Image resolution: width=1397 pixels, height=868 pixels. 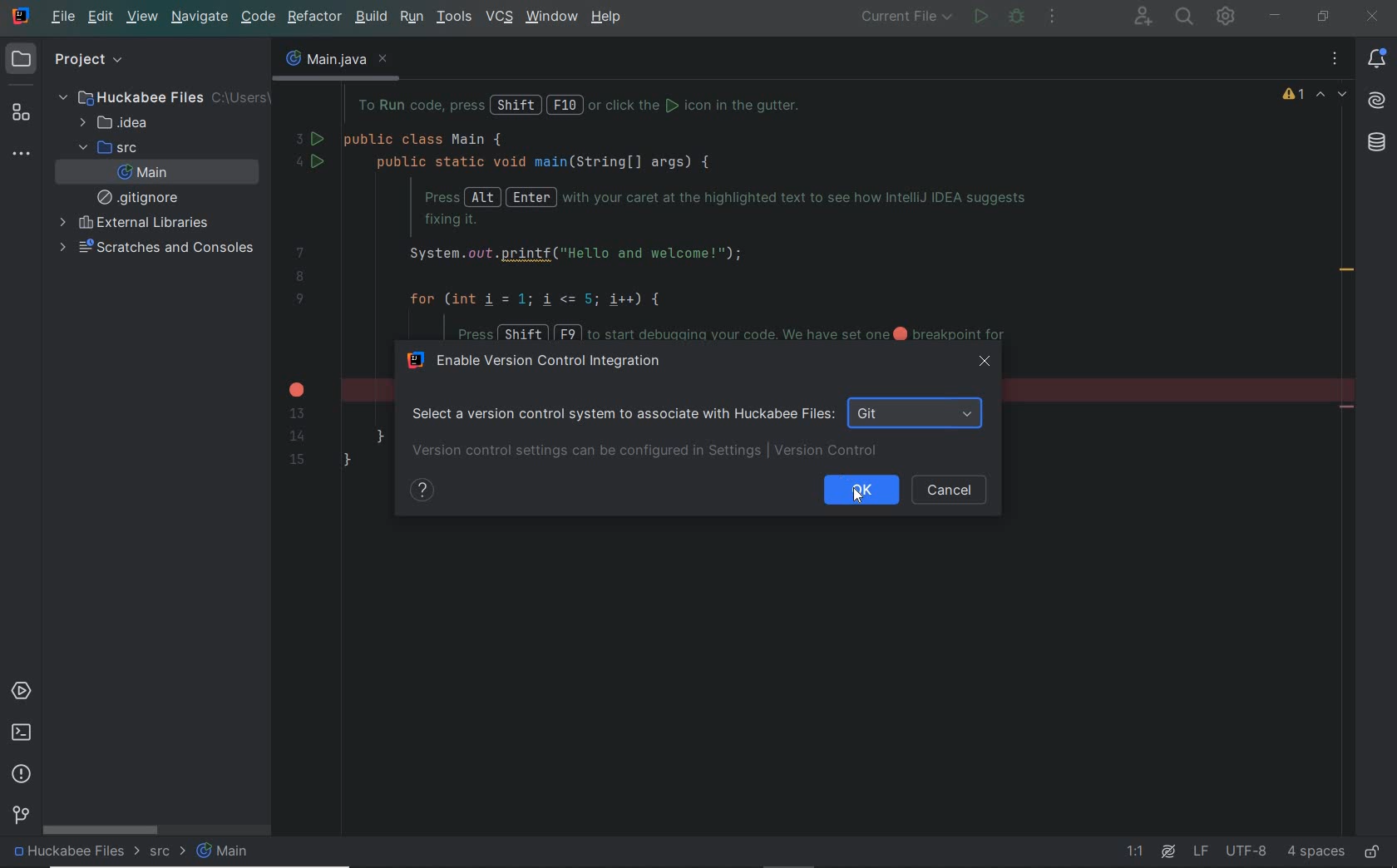 I want to click on RESTORE DOWN, so click(x=1319, y=16).